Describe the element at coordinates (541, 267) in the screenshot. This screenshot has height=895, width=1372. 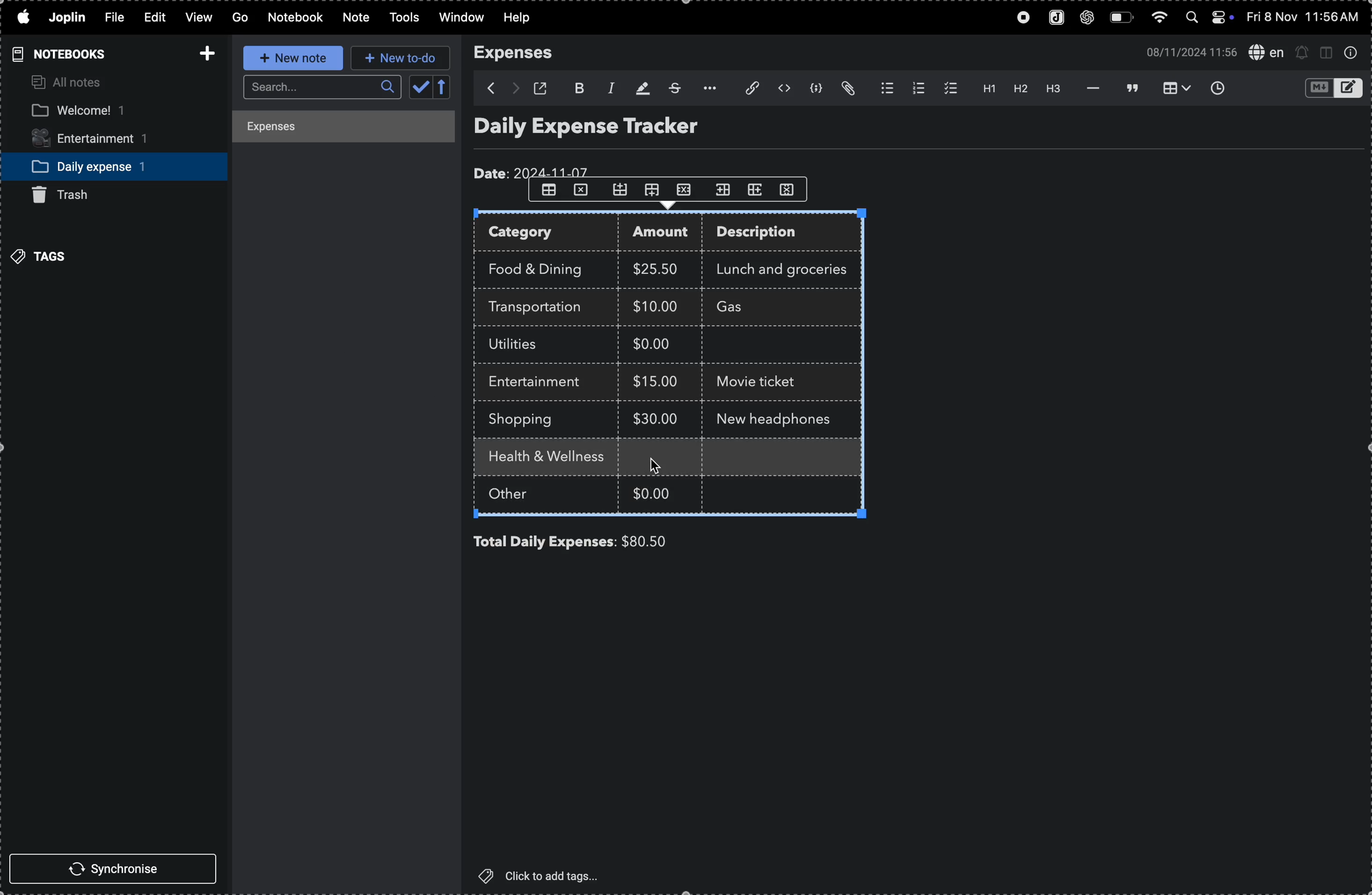
I see `food and drink` at that location.